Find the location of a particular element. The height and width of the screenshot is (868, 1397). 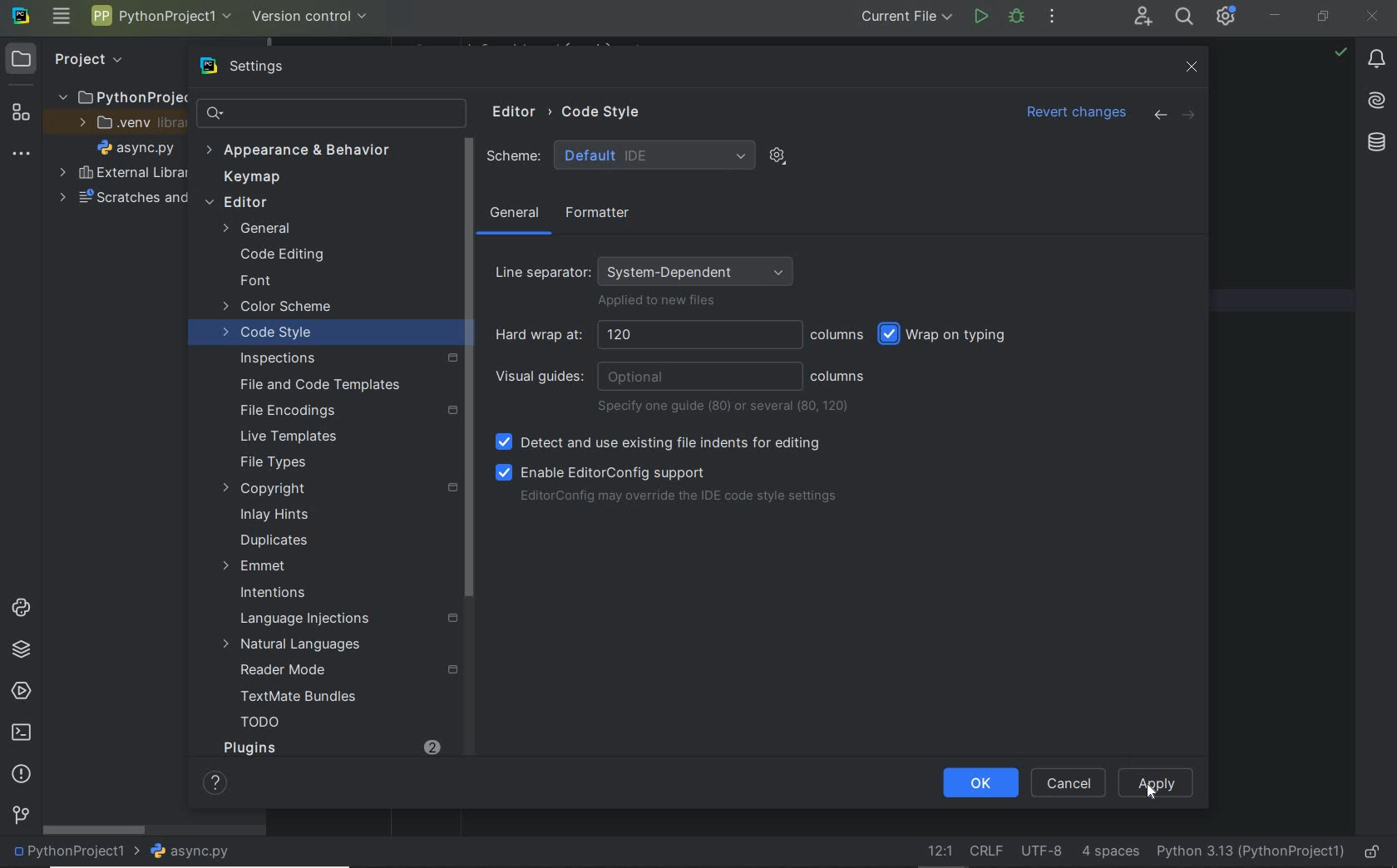

indent is located at coordinates (1108, 852).